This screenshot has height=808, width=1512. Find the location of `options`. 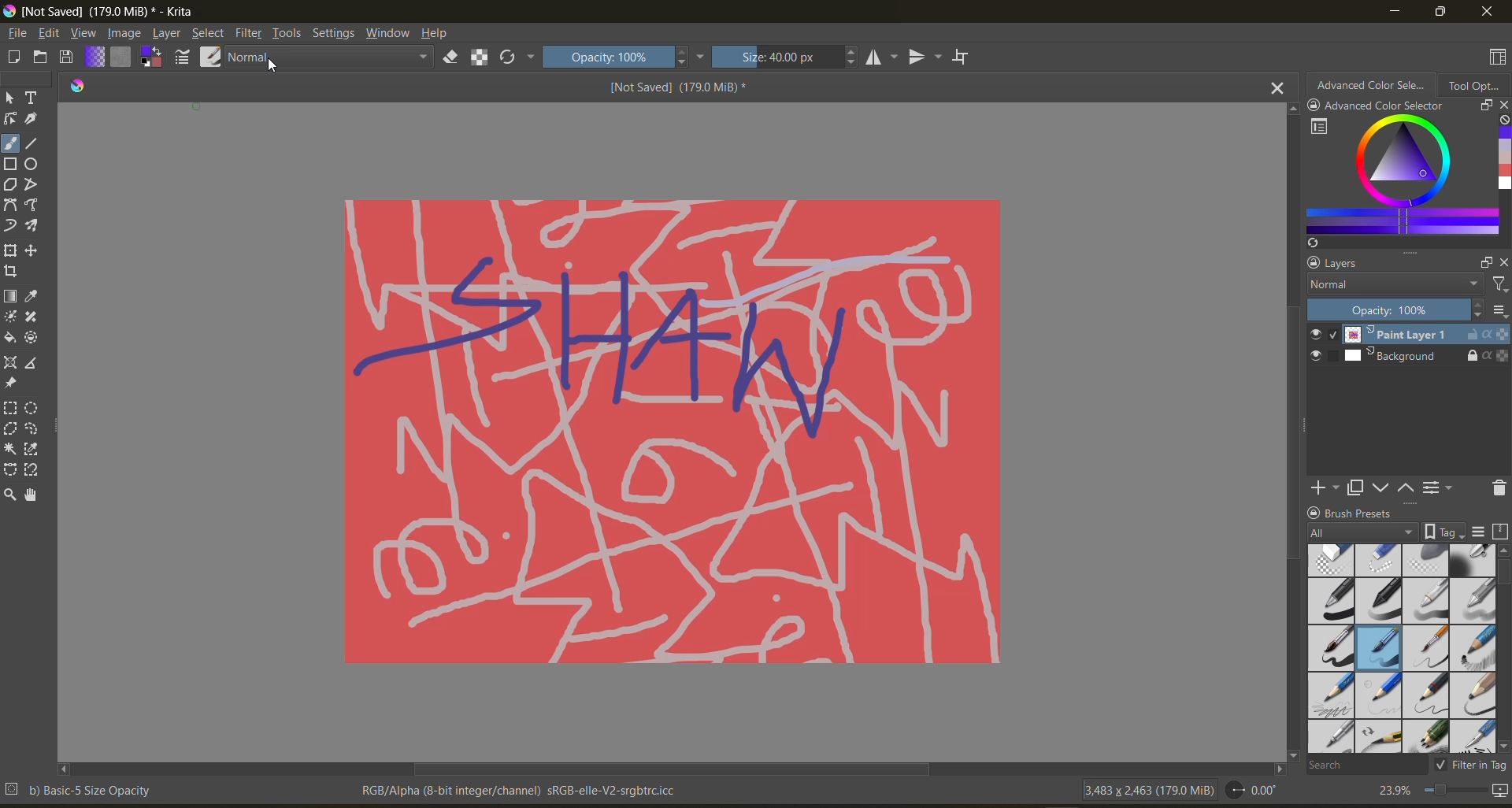

options is located at coordinates (1502, 313).